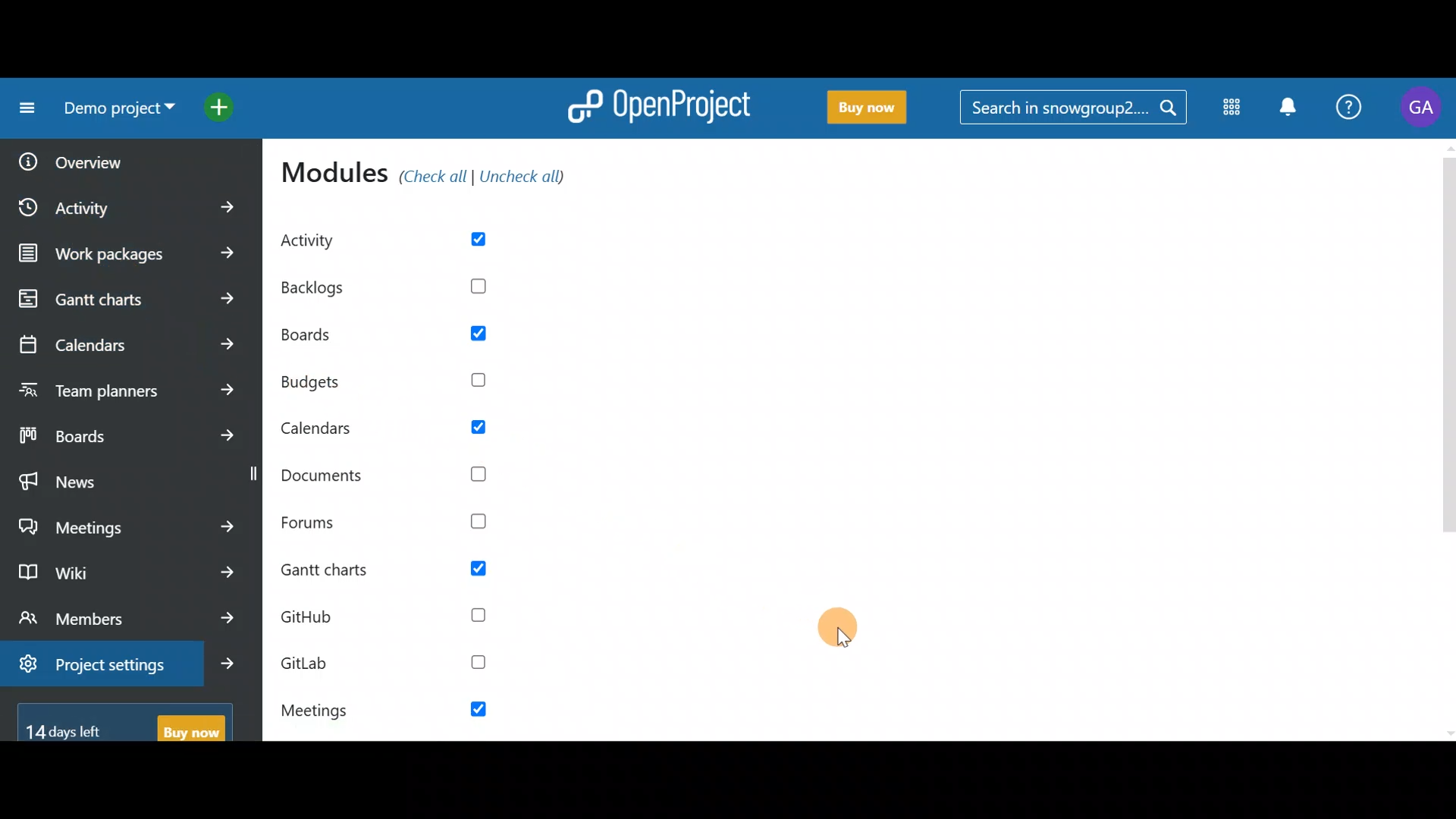  What do you see at coordinates (127, 344) in the screenshot?
I see `Calendars` at bounding box center [127, 344].